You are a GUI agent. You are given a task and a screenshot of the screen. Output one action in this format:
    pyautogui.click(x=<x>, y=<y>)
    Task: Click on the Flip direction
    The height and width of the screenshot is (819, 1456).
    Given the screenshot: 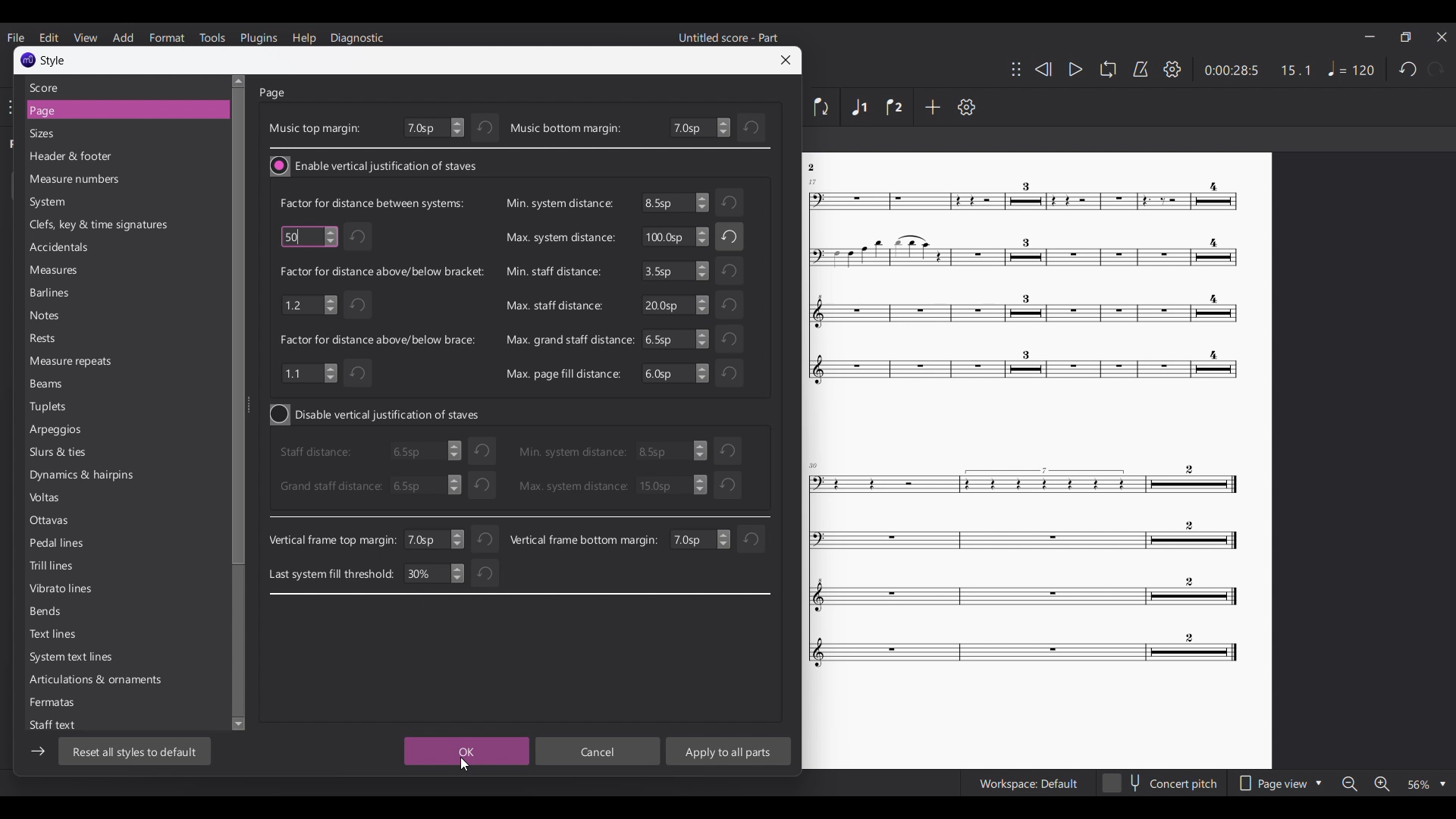 What is the action you would take?
    pyautogui.click(x=822, y=107)
    